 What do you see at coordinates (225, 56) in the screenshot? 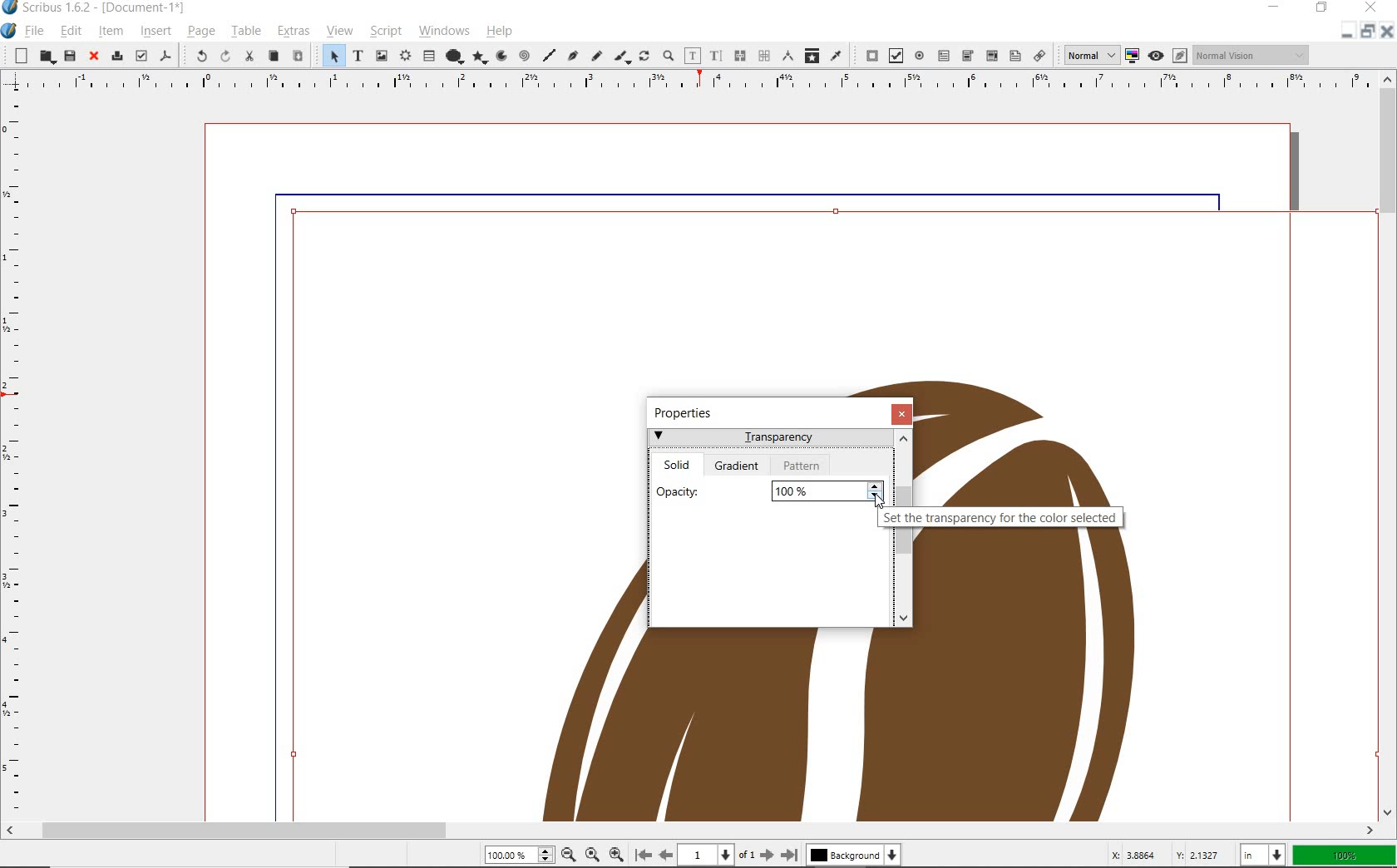
I see `redo` at bounding box center [225, 56].